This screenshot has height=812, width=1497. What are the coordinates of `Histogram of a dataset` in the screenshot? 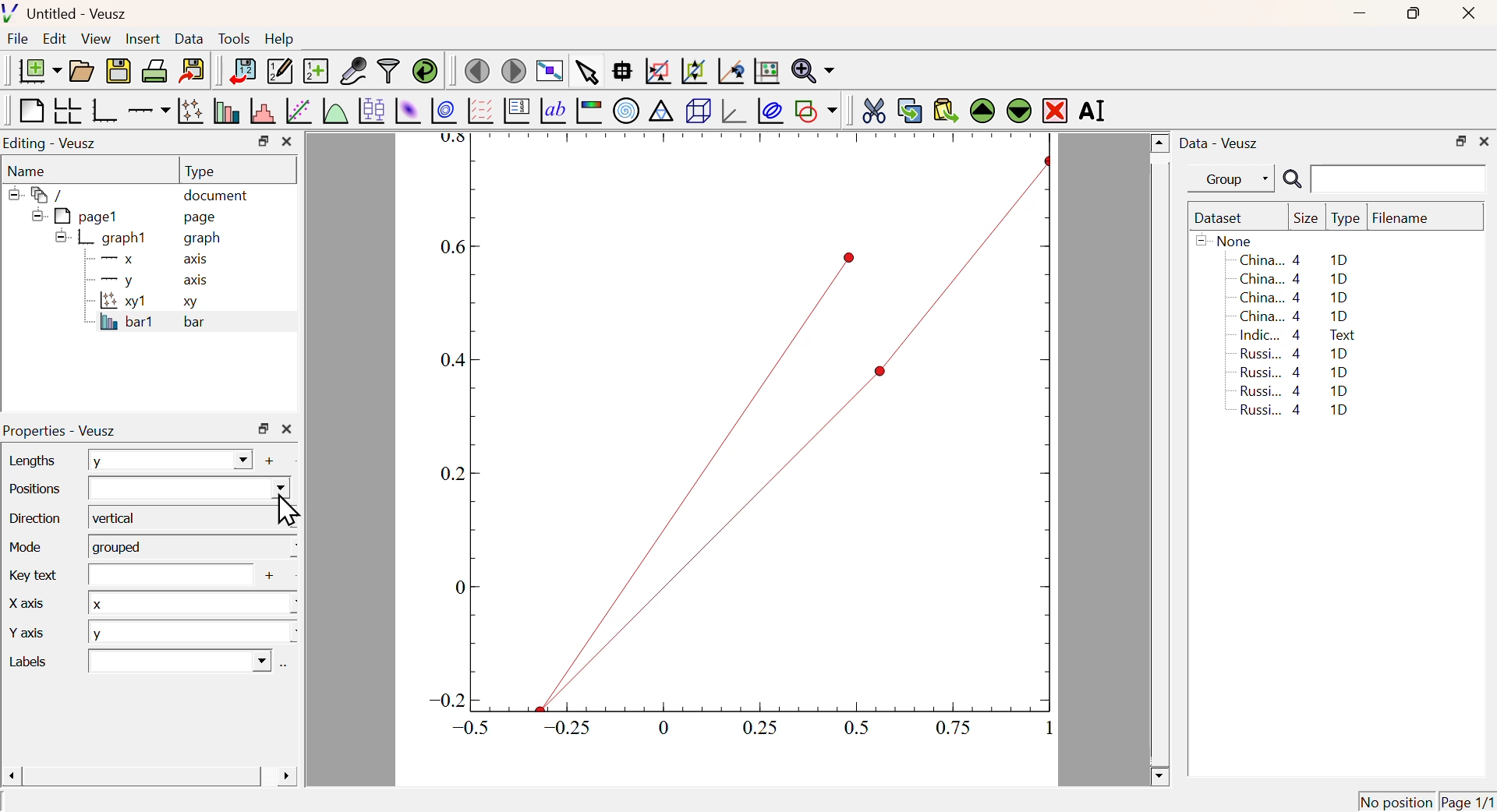 It's located at (263, 111).